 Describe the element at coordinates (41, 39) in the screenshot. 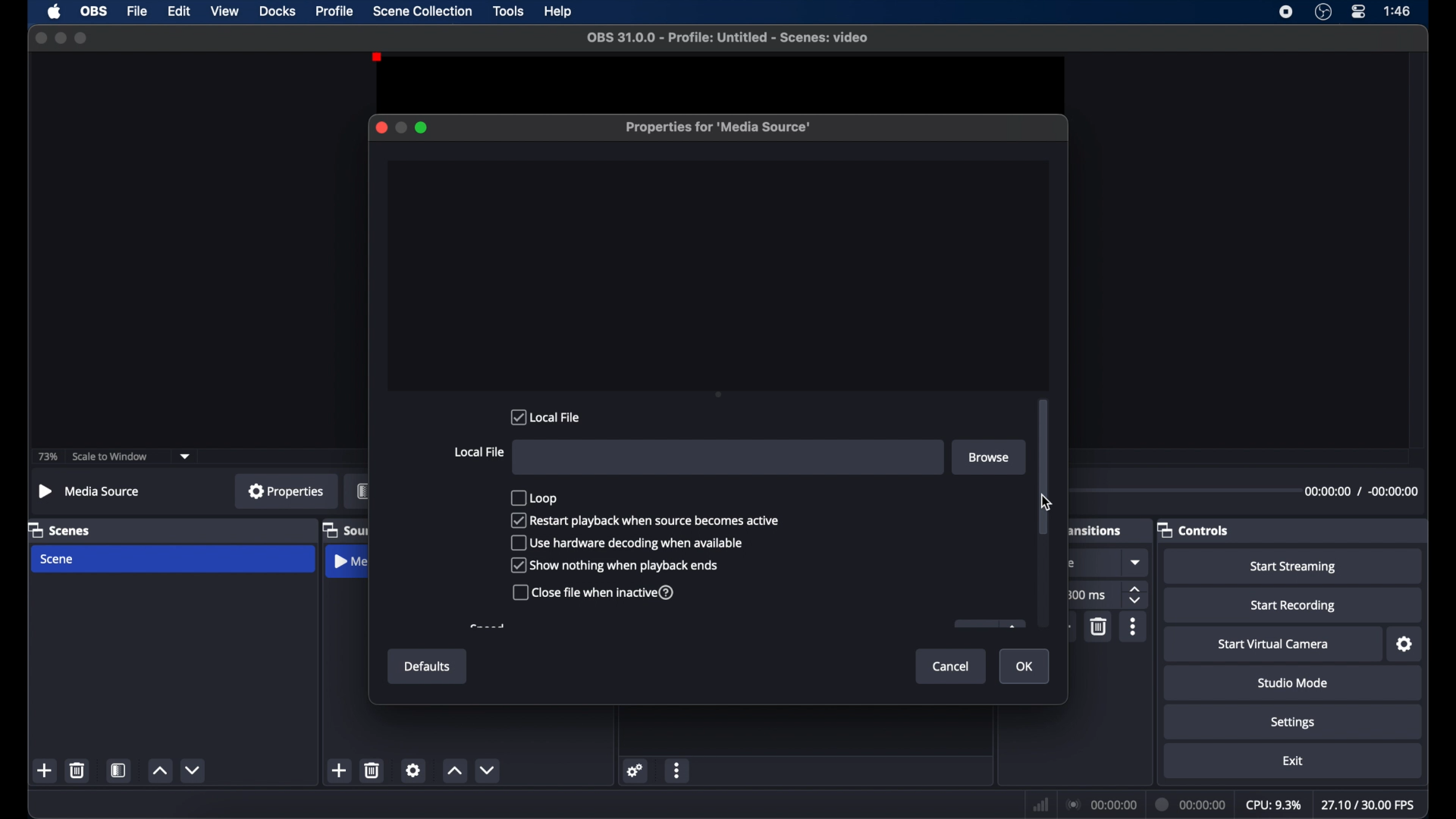

I see `close` at that location.